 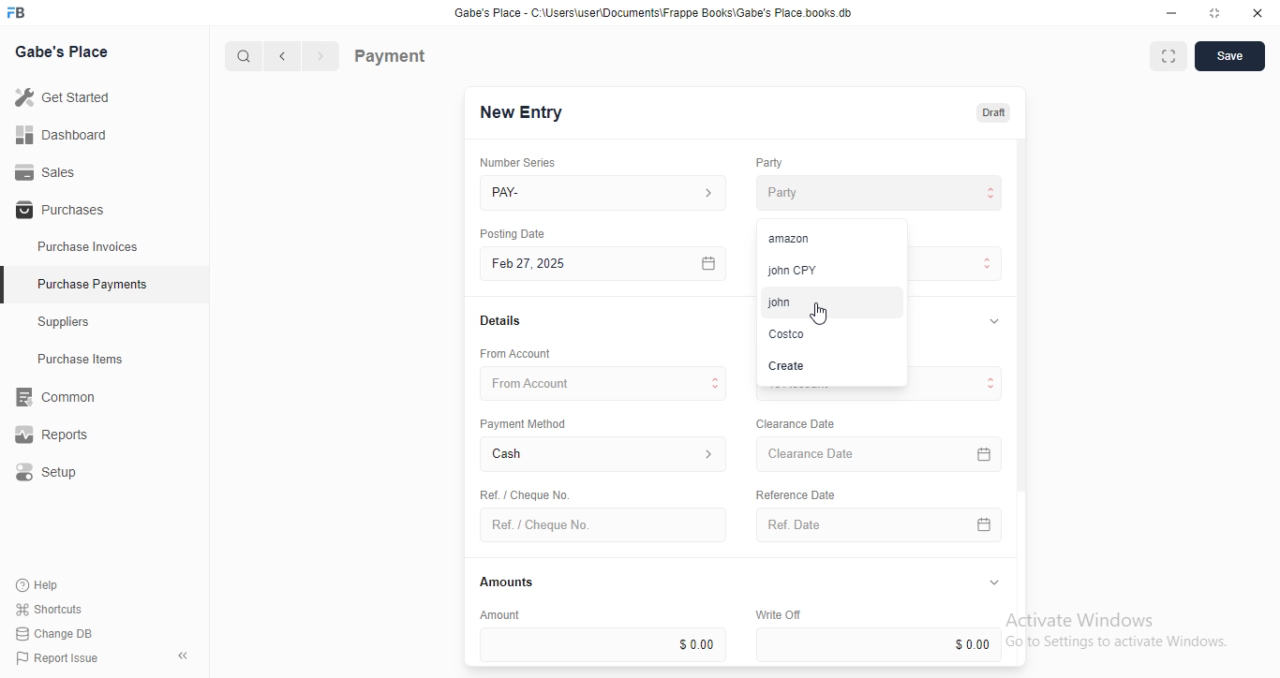 I want to click on Payment Type, so click(x=953, y=263).